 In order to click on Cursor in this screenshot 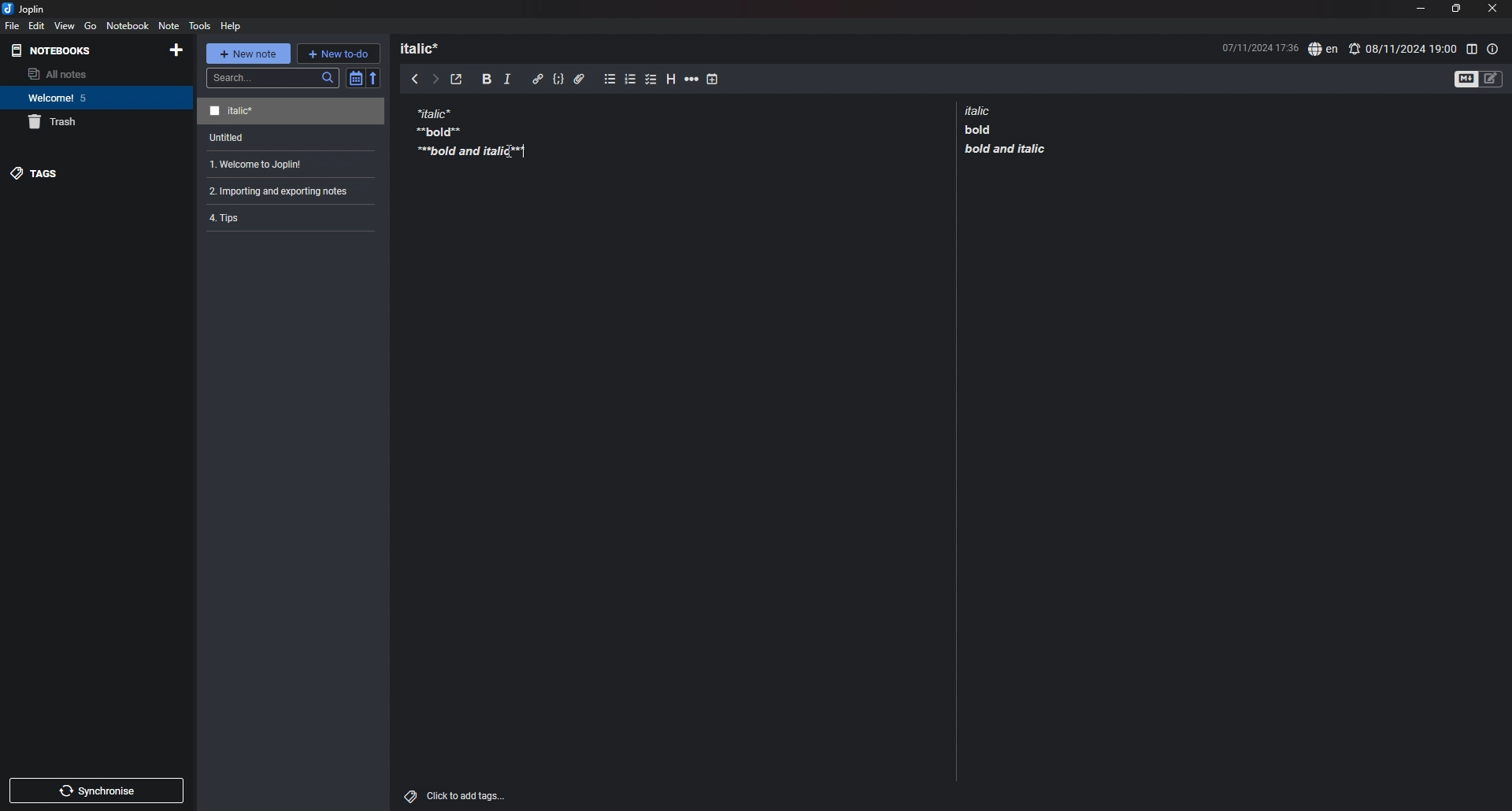, I will do `click(527, 151)`.